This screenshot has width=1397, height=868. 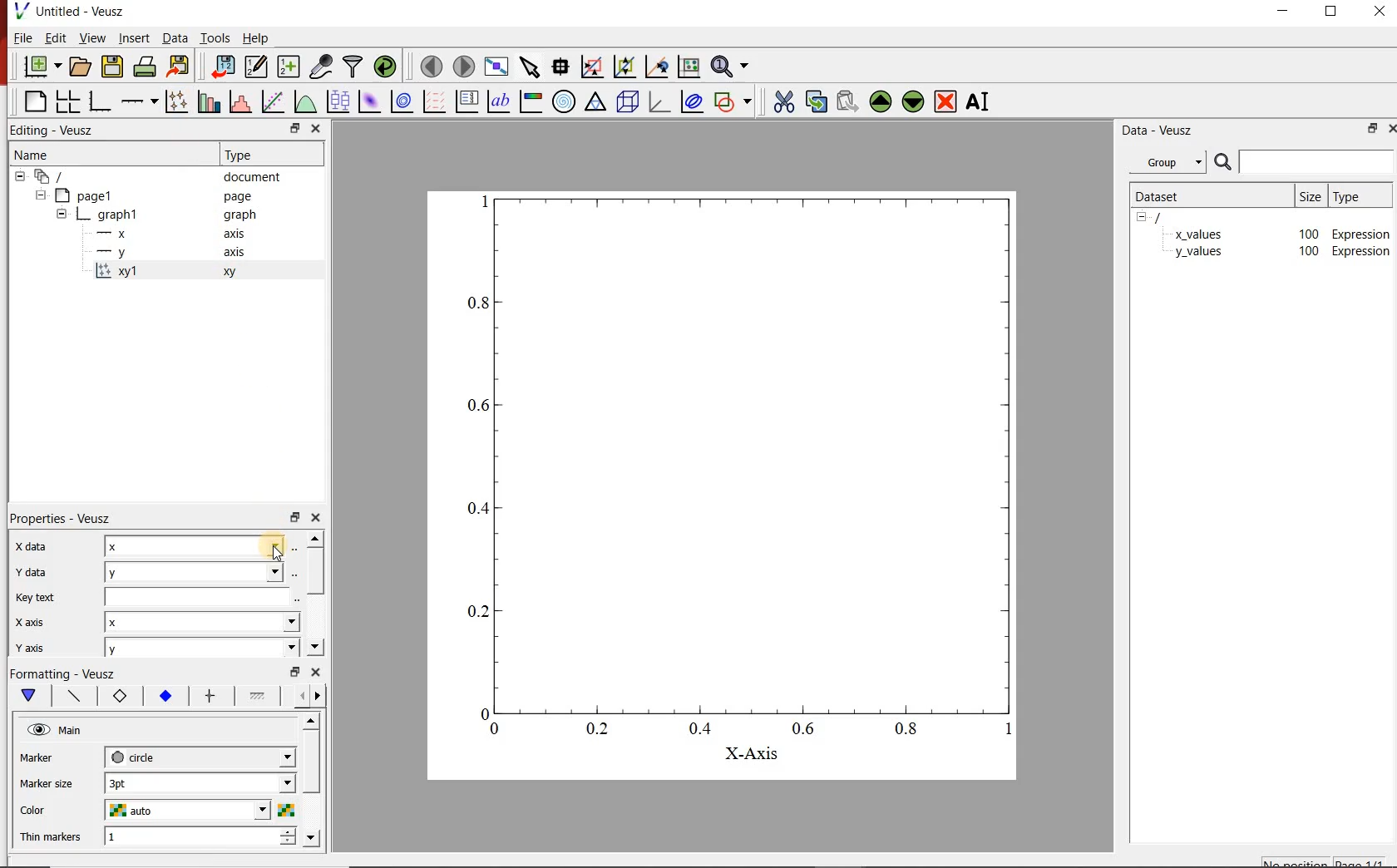 I want to click on view, so click(x=93, y=37).